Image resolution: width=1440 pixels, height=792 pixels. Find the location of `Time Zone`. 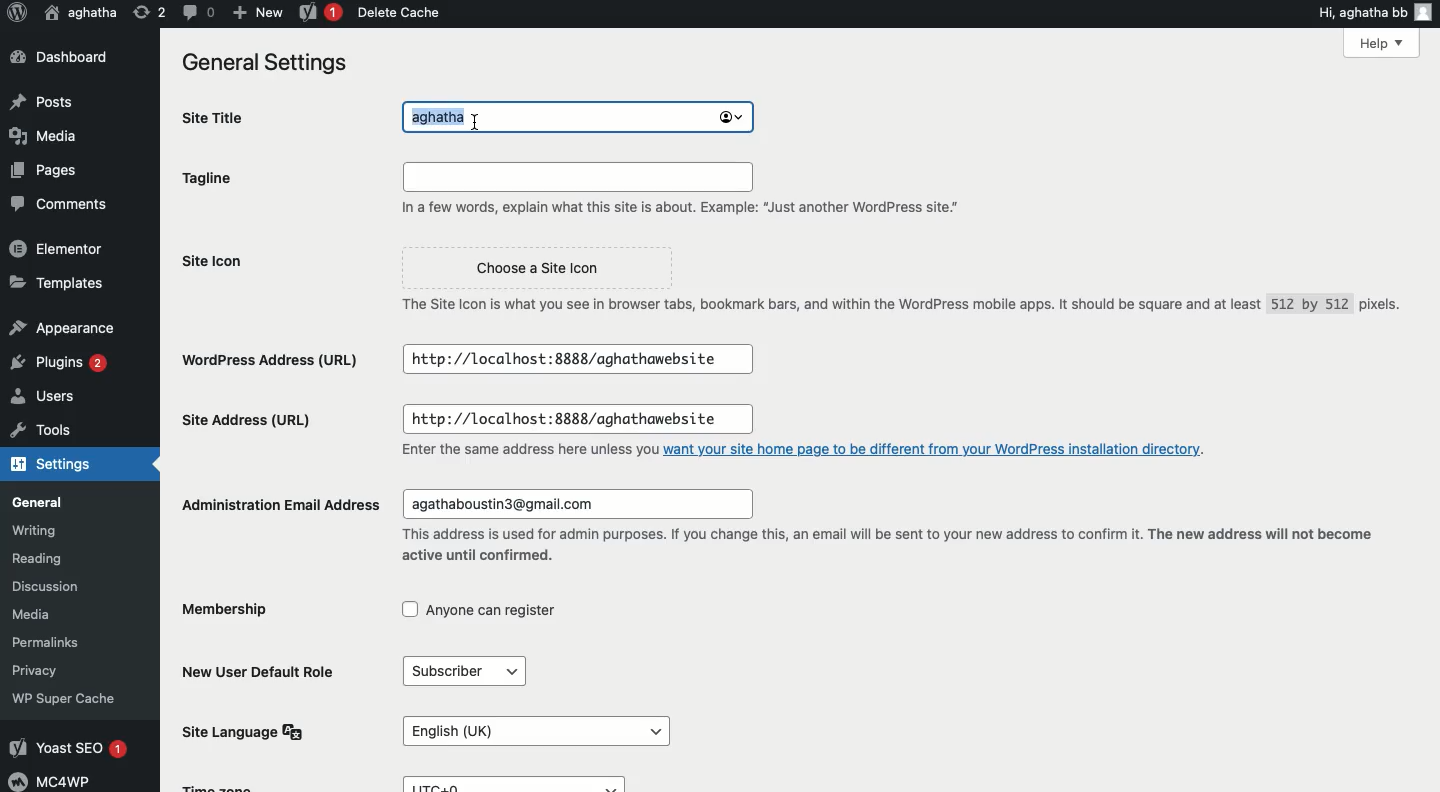

Time Zone is located at coordinates (223, 786).